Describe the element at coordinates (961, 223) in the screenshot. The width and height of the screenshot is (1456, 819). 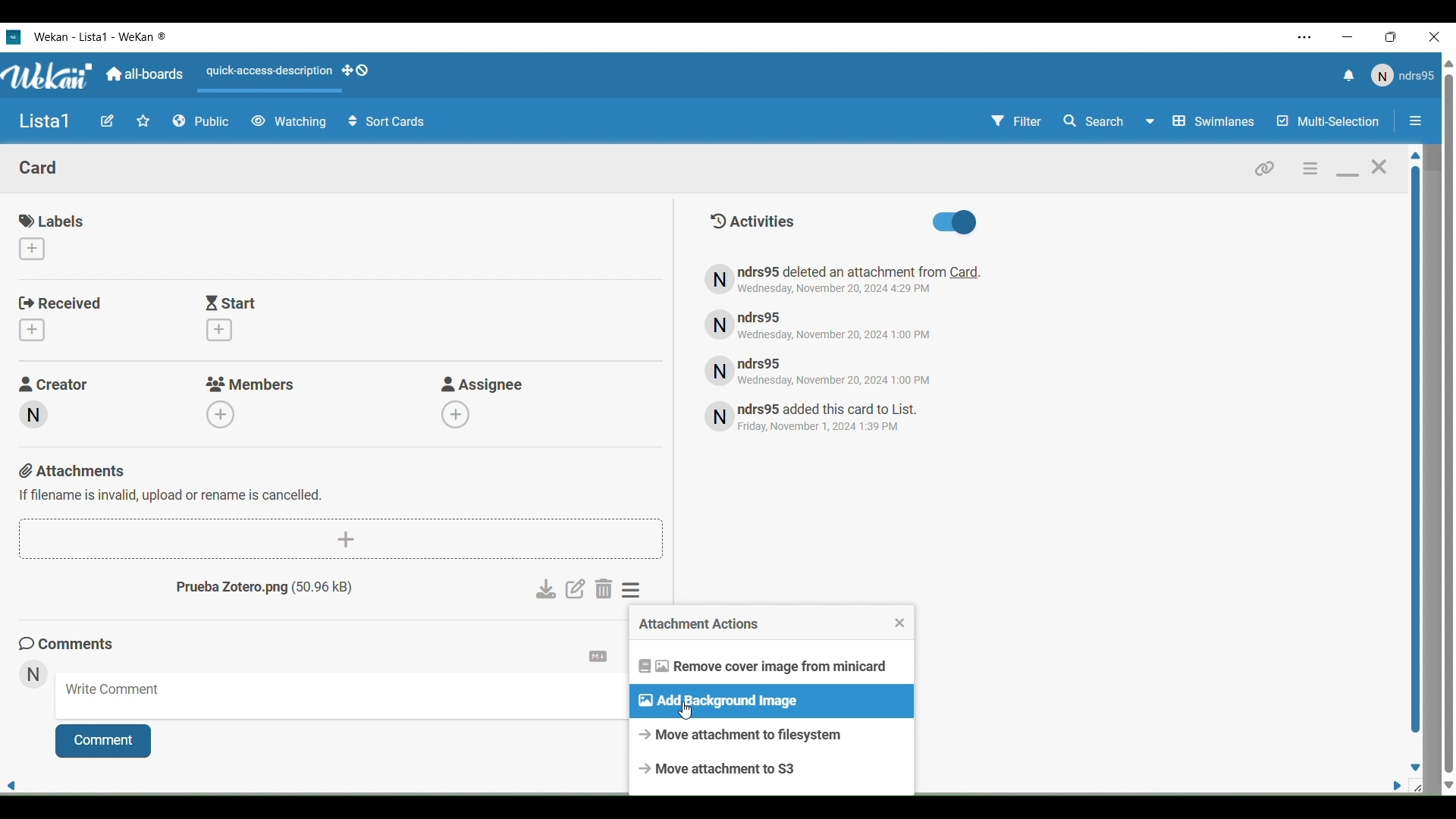
I see `Activities toggle` at that location.